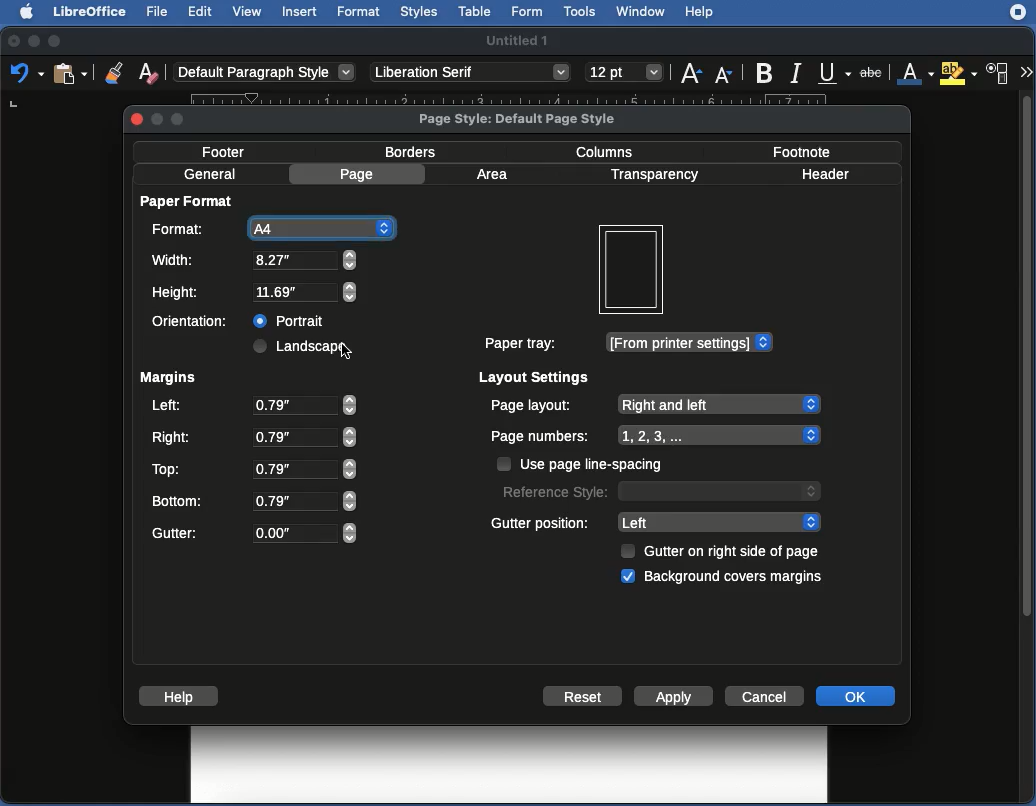 This screenshot has width=1036, height=806. I want to click on minimize, so click(156, 121).